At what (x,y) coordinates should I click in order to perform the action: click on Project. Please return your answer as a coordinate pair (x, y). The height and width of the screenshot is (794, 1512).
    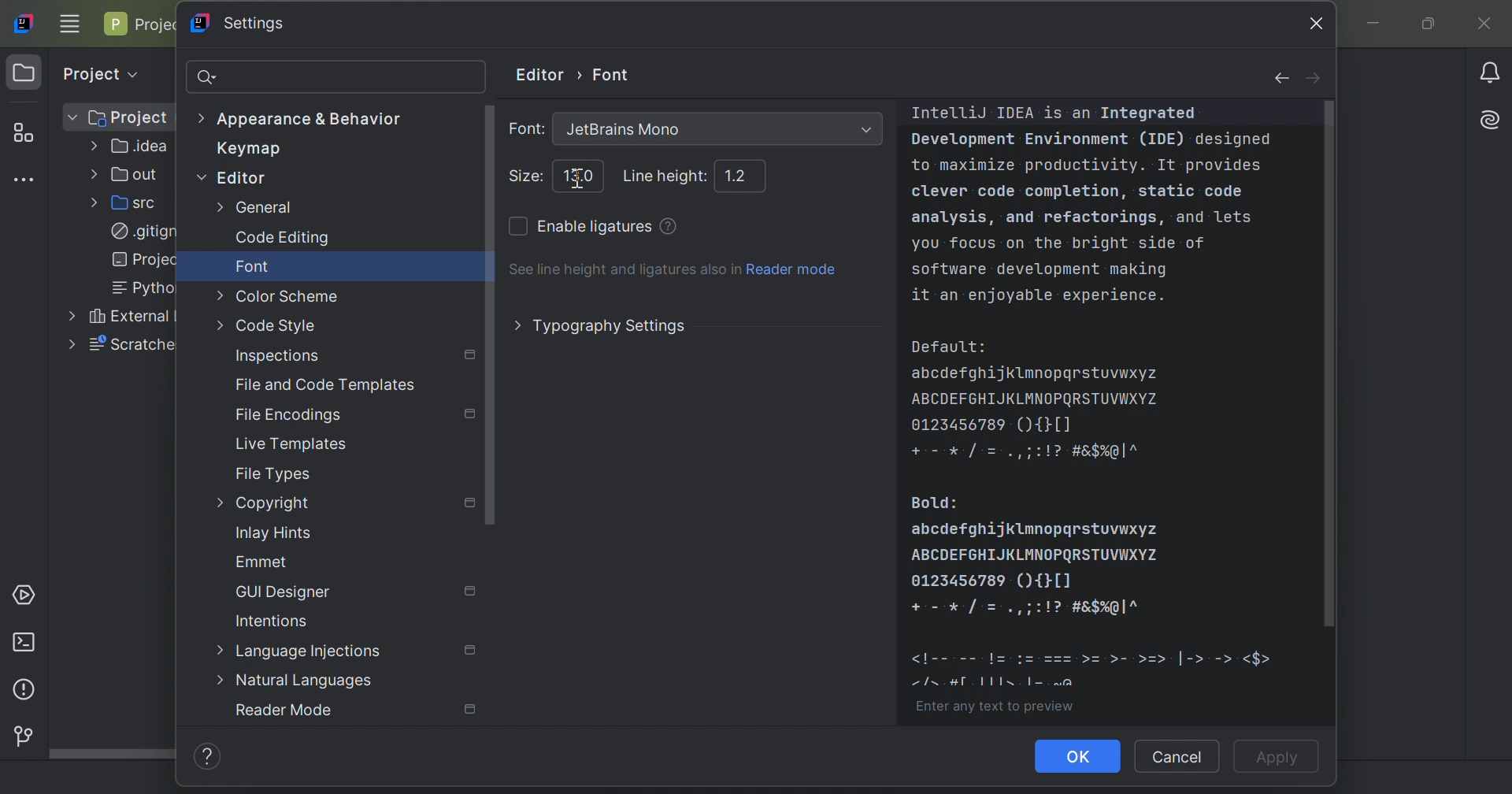
    Looking at the image, I should click on (142, 24).